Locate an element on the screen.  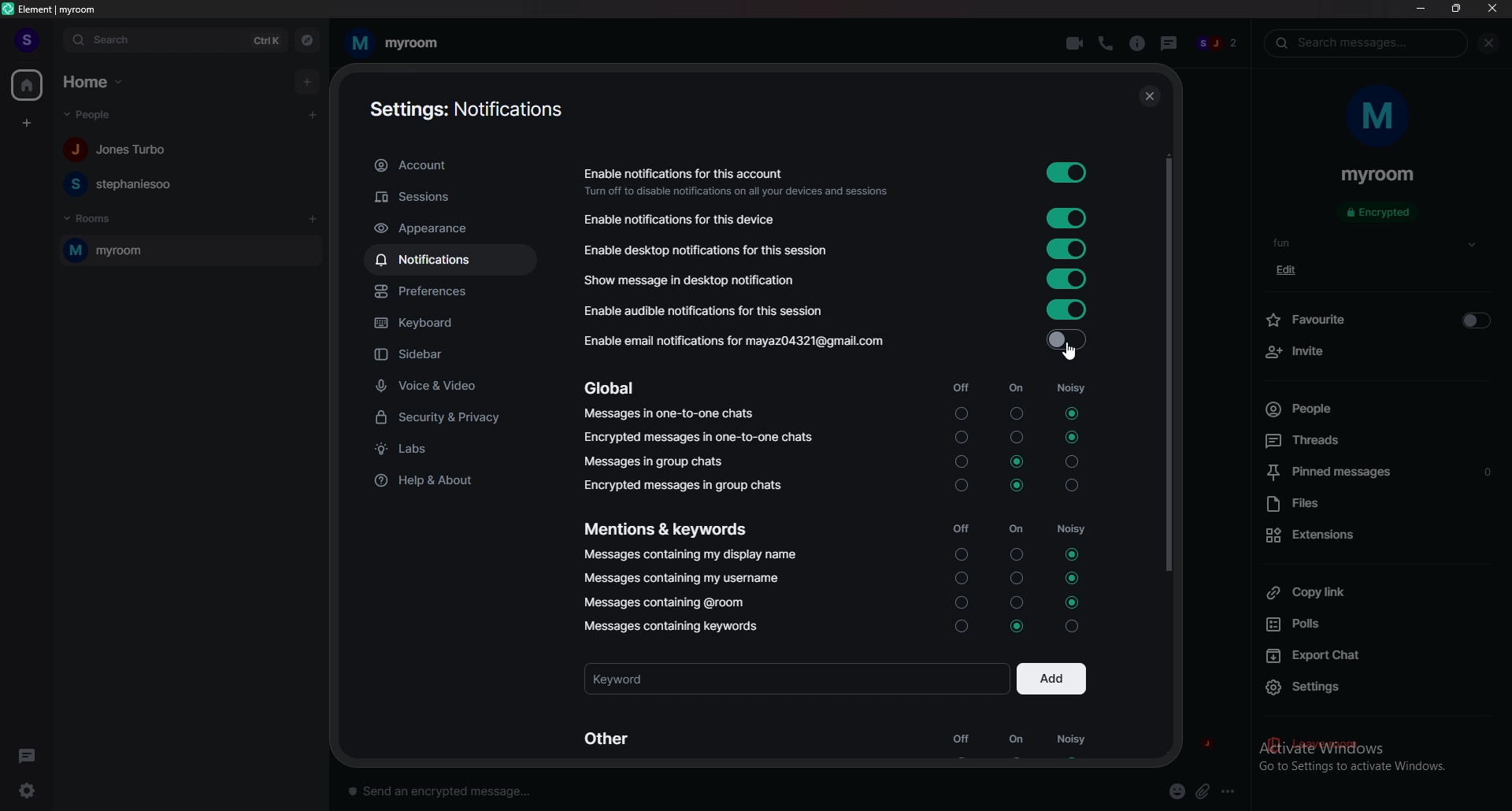
show message in desktop notification is located at coordinates (836, 279).